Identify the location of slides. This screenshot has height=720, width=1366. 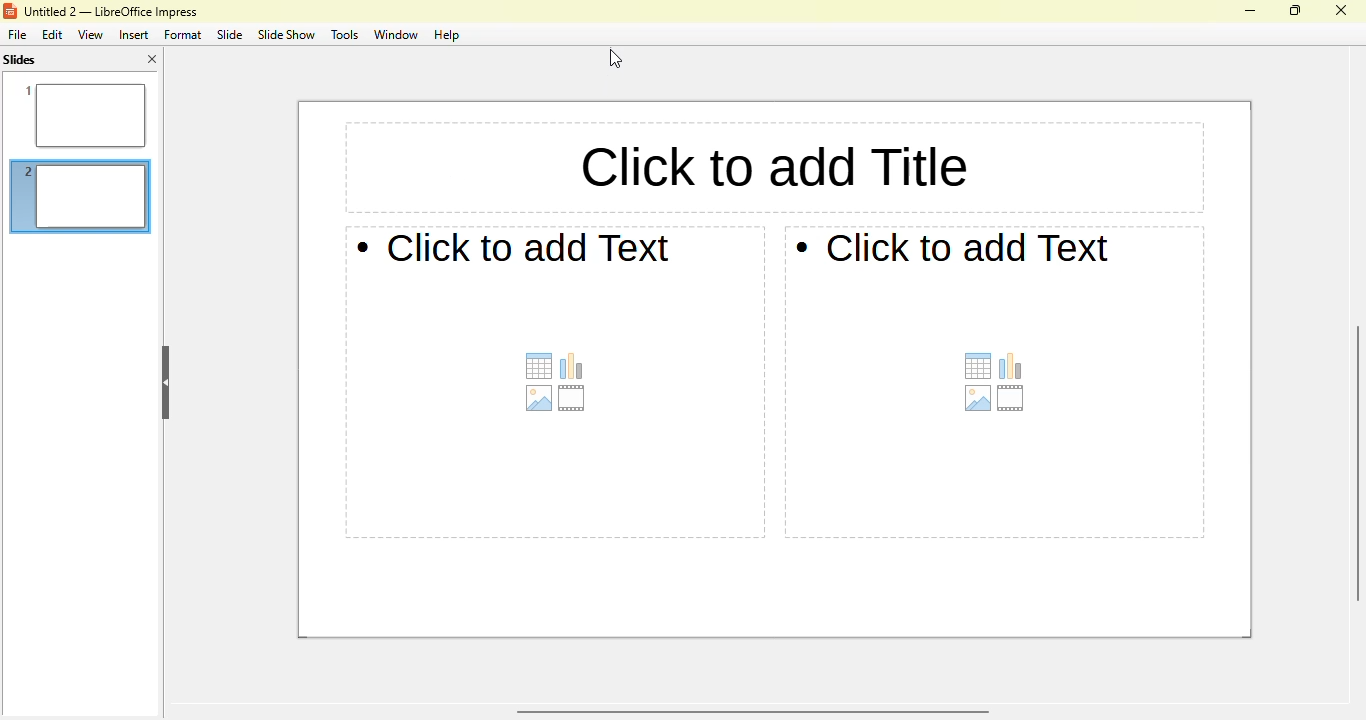
(19, 60).